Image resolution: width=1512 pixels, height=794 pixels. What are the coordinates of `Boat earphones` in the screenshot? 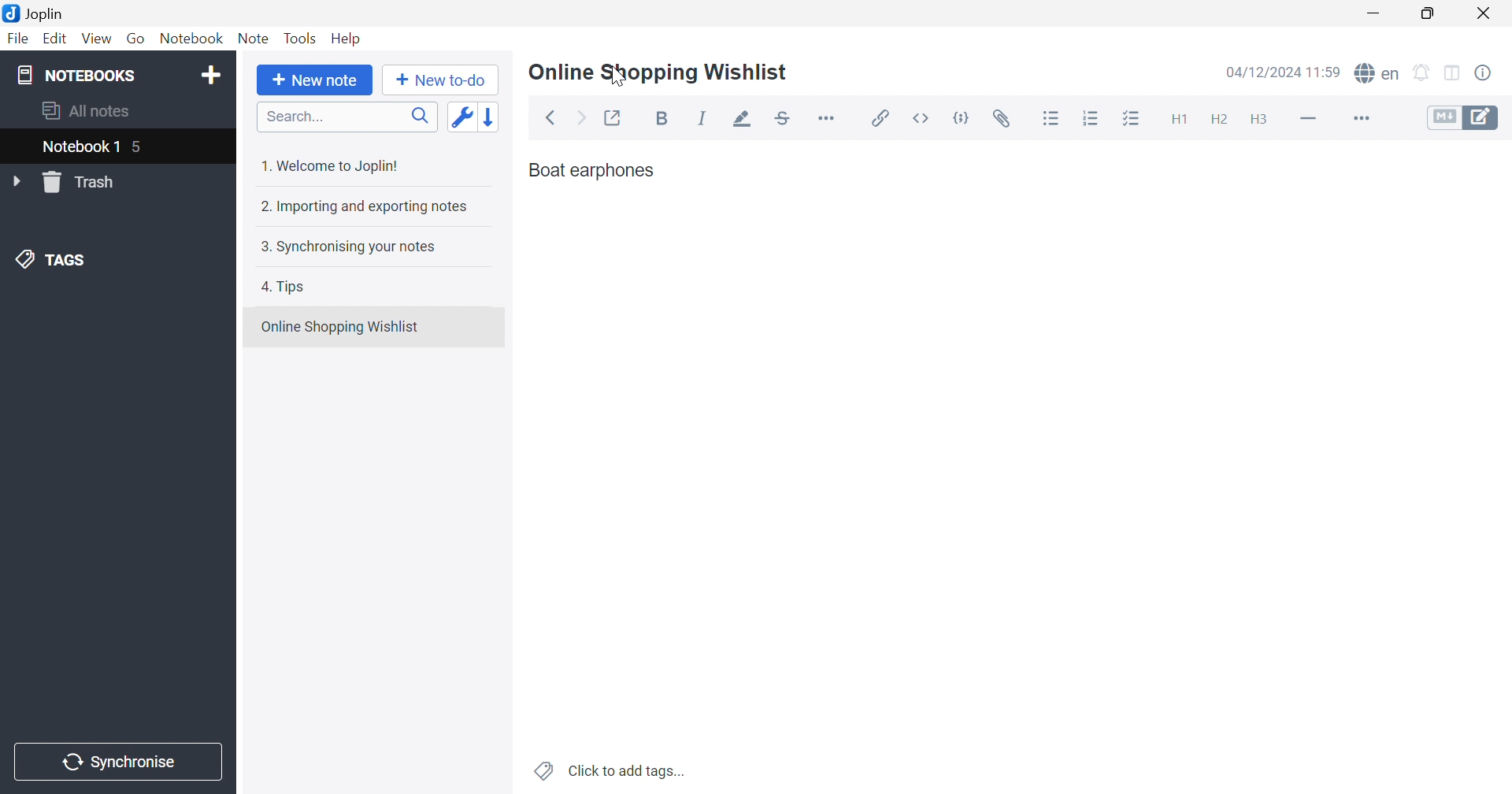 It's located at (591, 170).